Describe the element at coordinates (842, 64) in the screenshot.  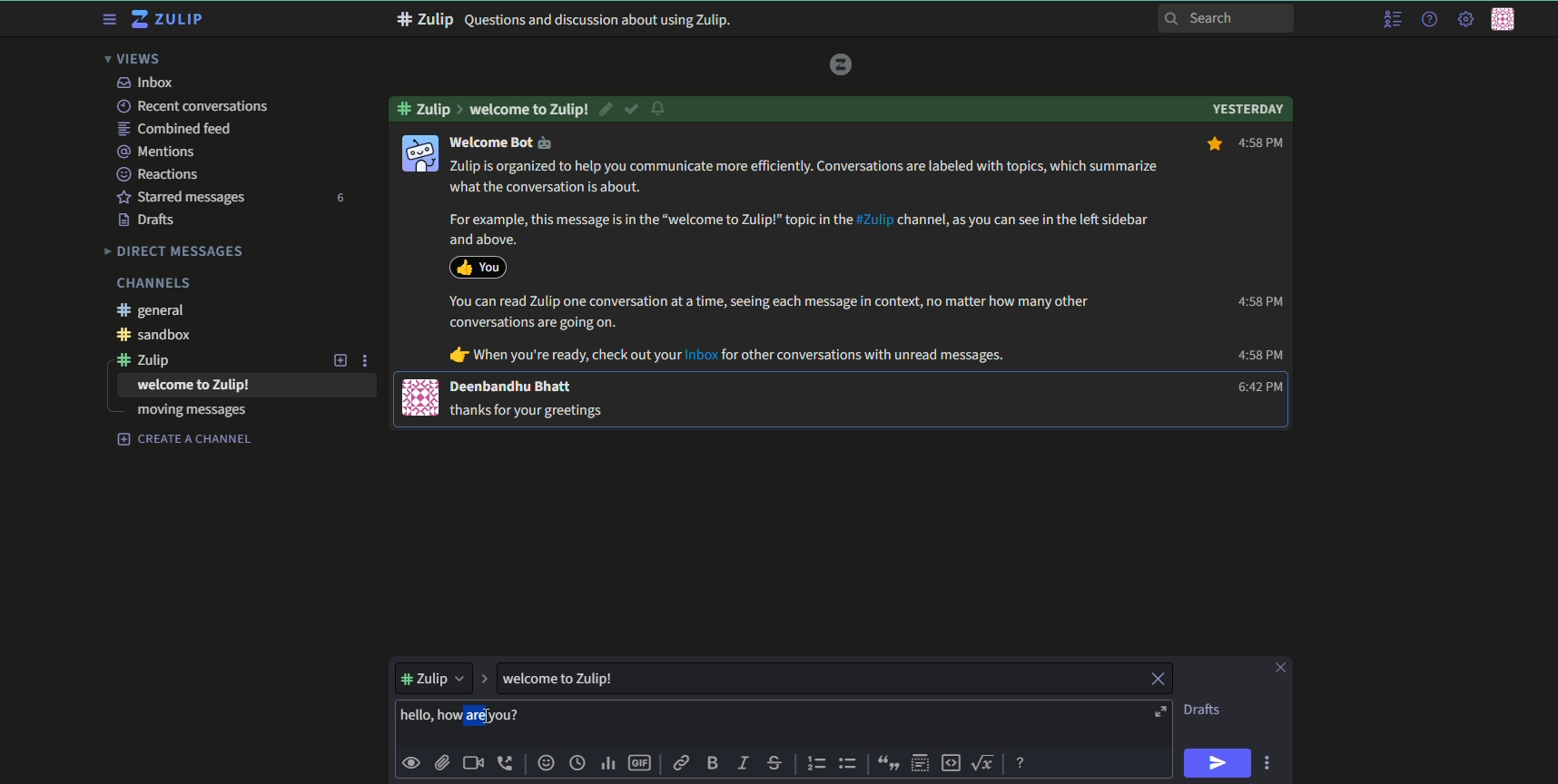
I see `logo` at that location.